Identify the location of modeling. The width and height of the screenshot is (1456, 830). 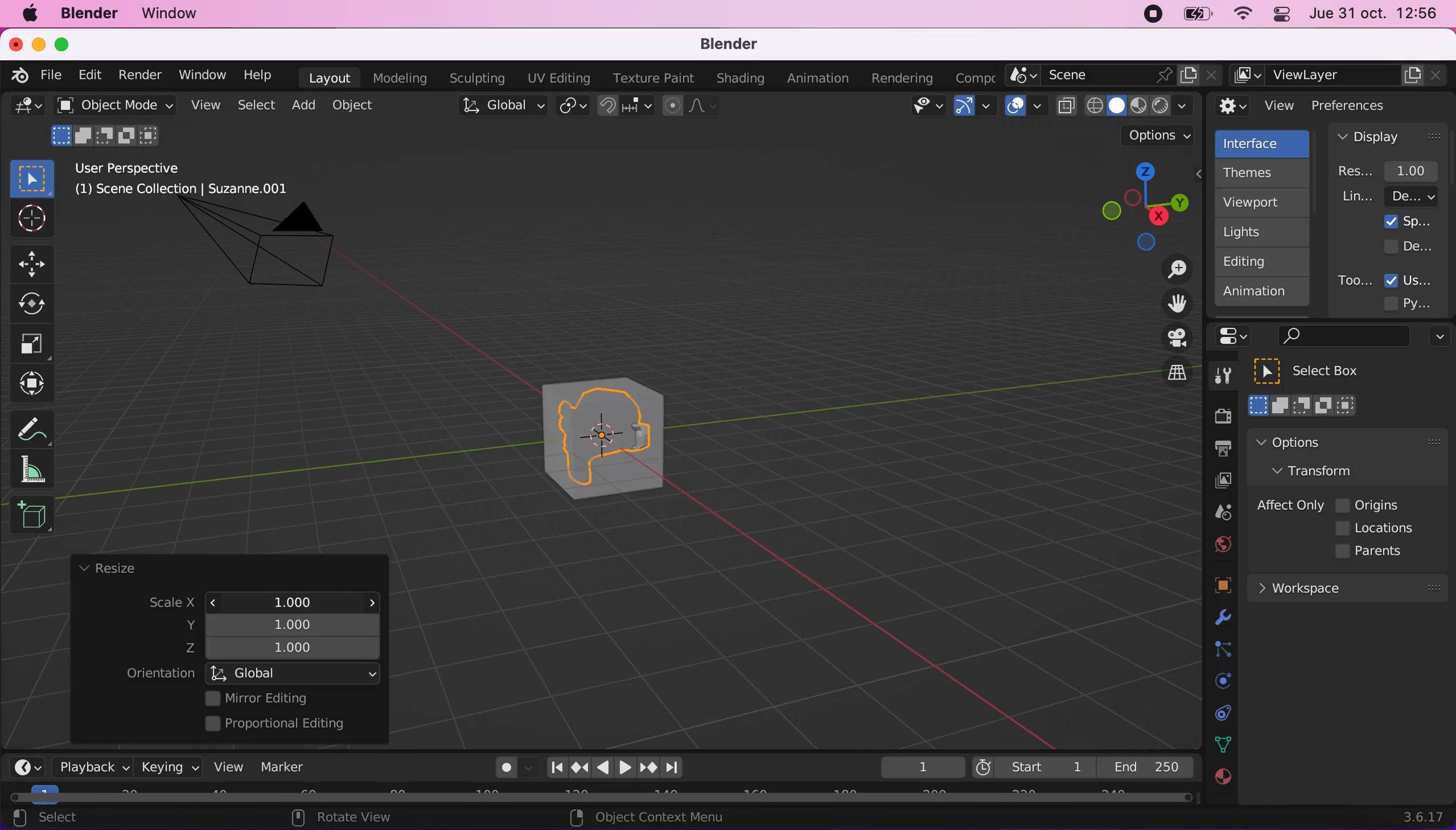
(398, 79).